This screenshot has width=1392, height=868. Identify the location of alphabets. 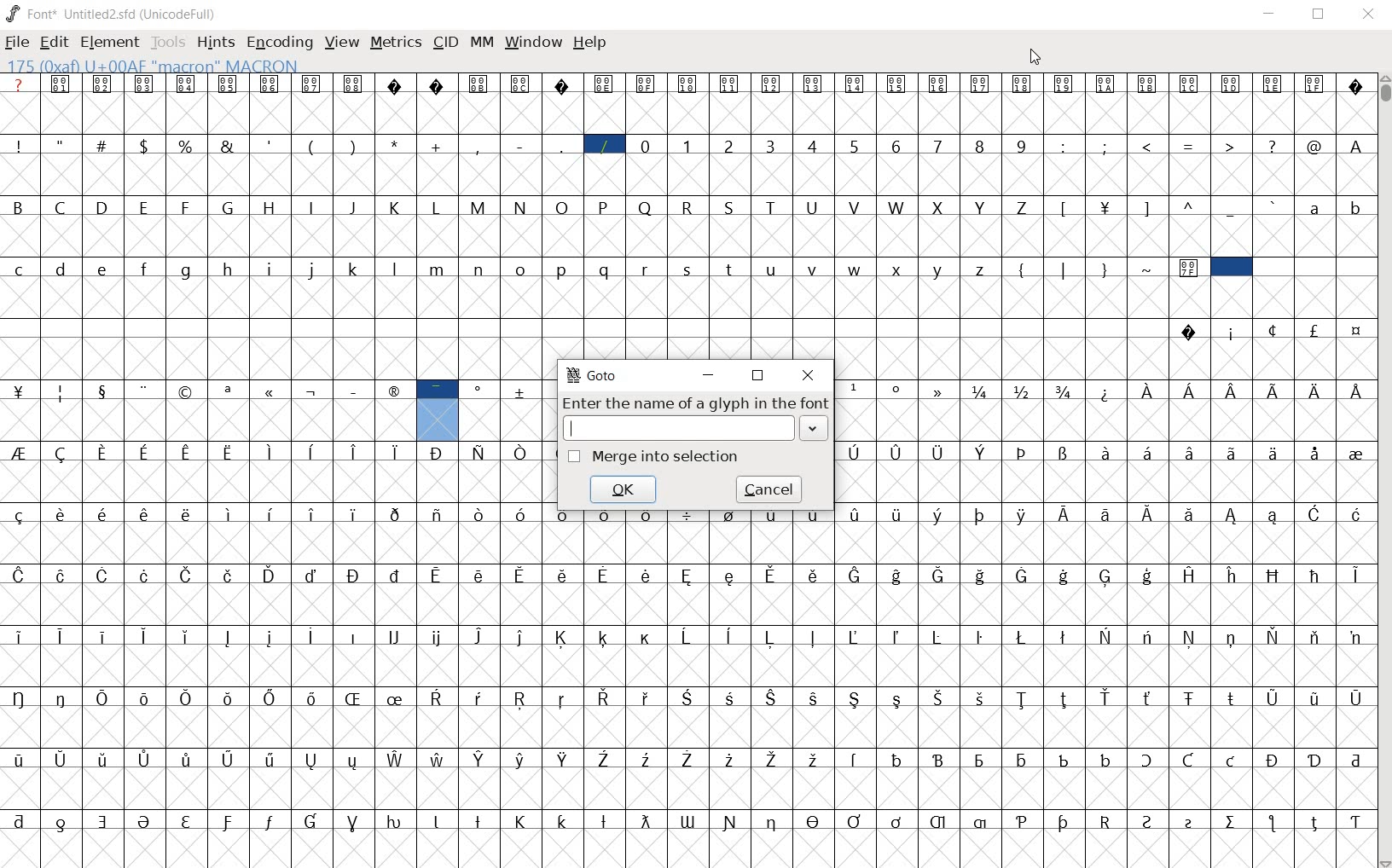
(1331, 225).